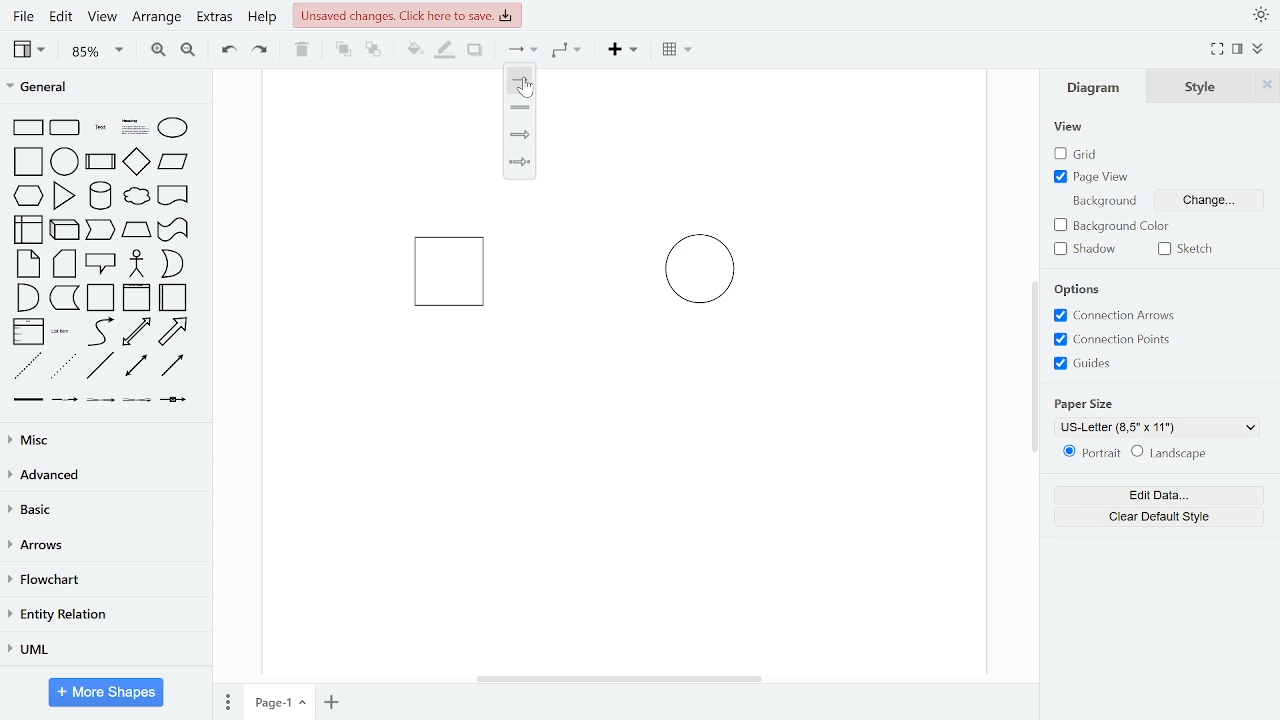 The height and width of the screenshot is (720, 1280). Describe the element at coordinates (107, 694) in the screenshot. I see `more shapes` at that location.